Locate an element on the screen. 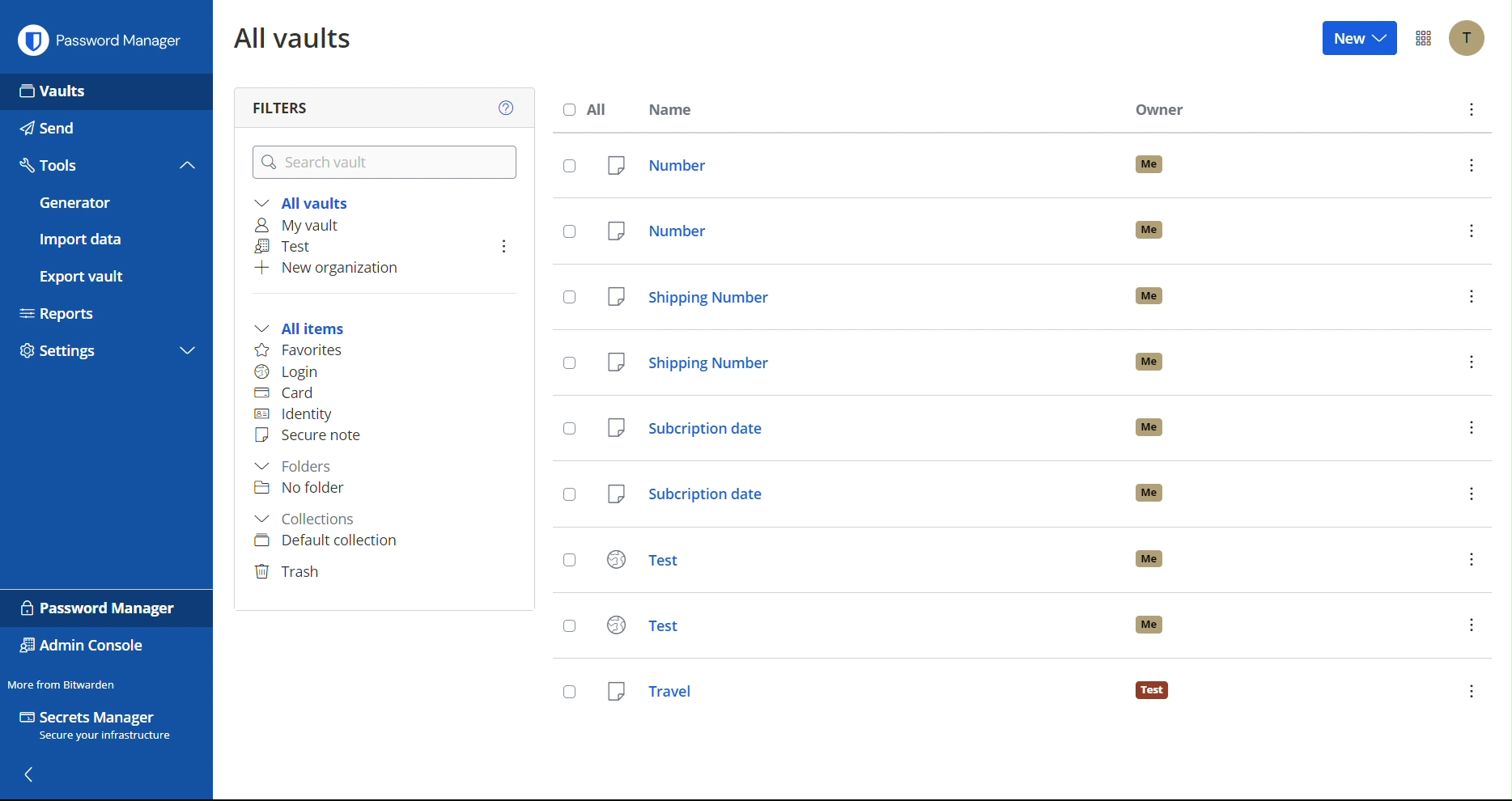  shipping number is located at coordinates (854, 363).